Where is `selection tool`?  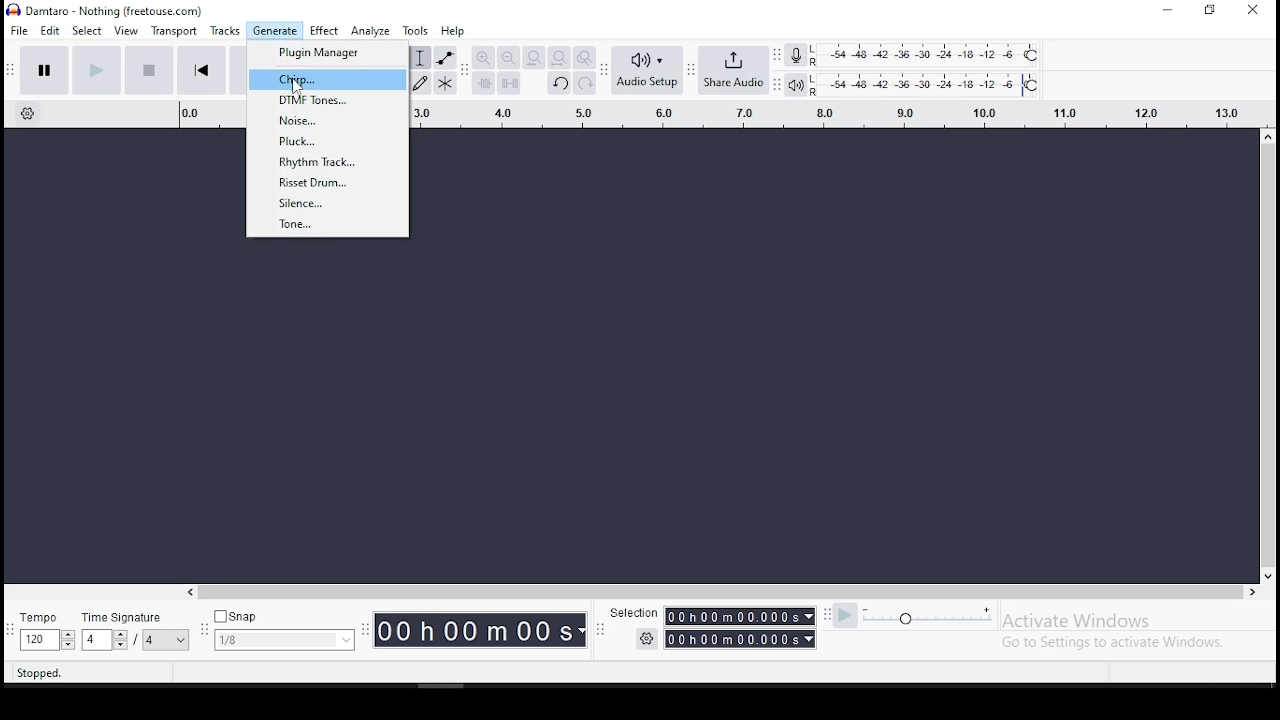
selection tool is located at coordinates (420, 57).